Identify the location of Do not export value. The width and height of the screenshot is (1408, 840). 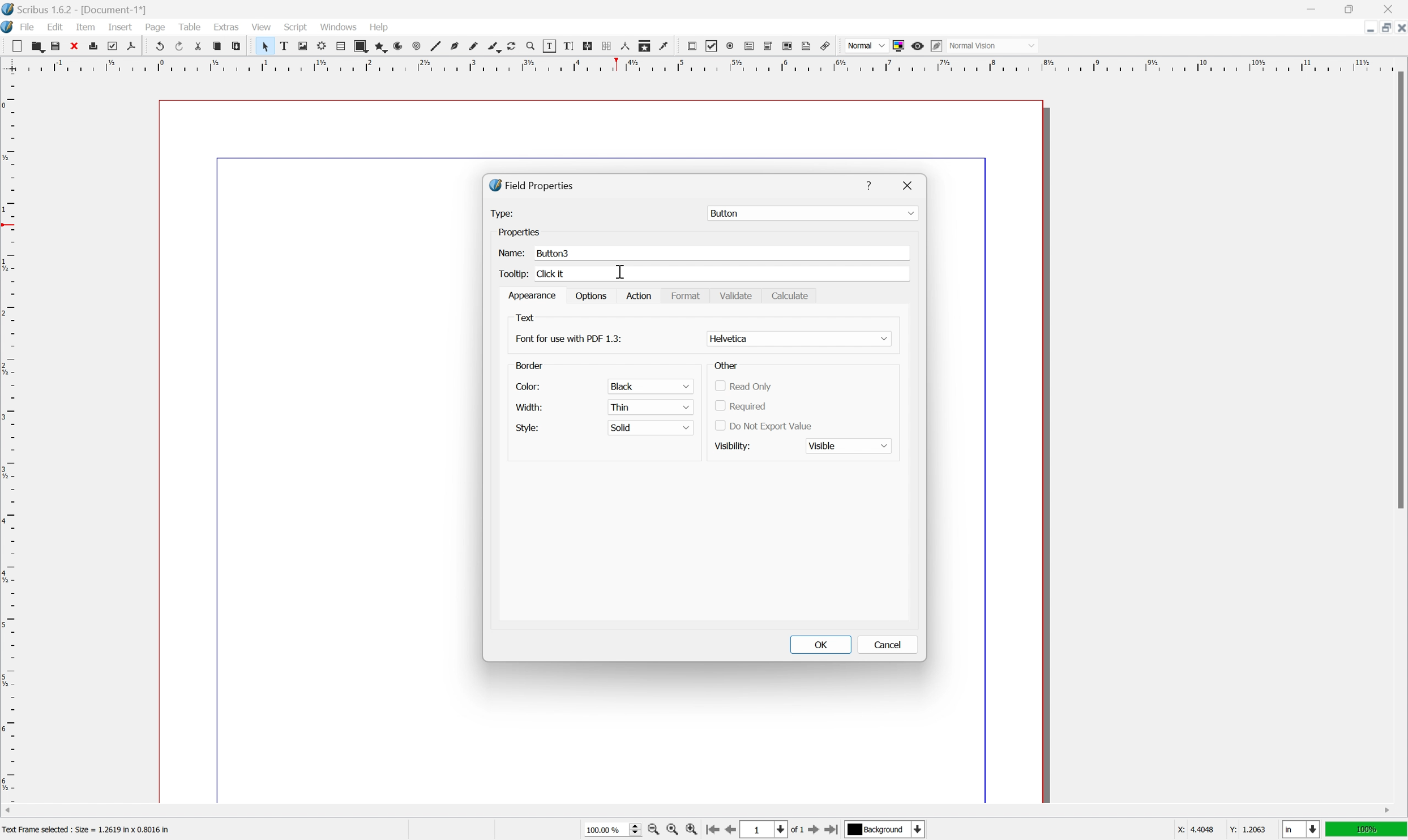
(767, 427).